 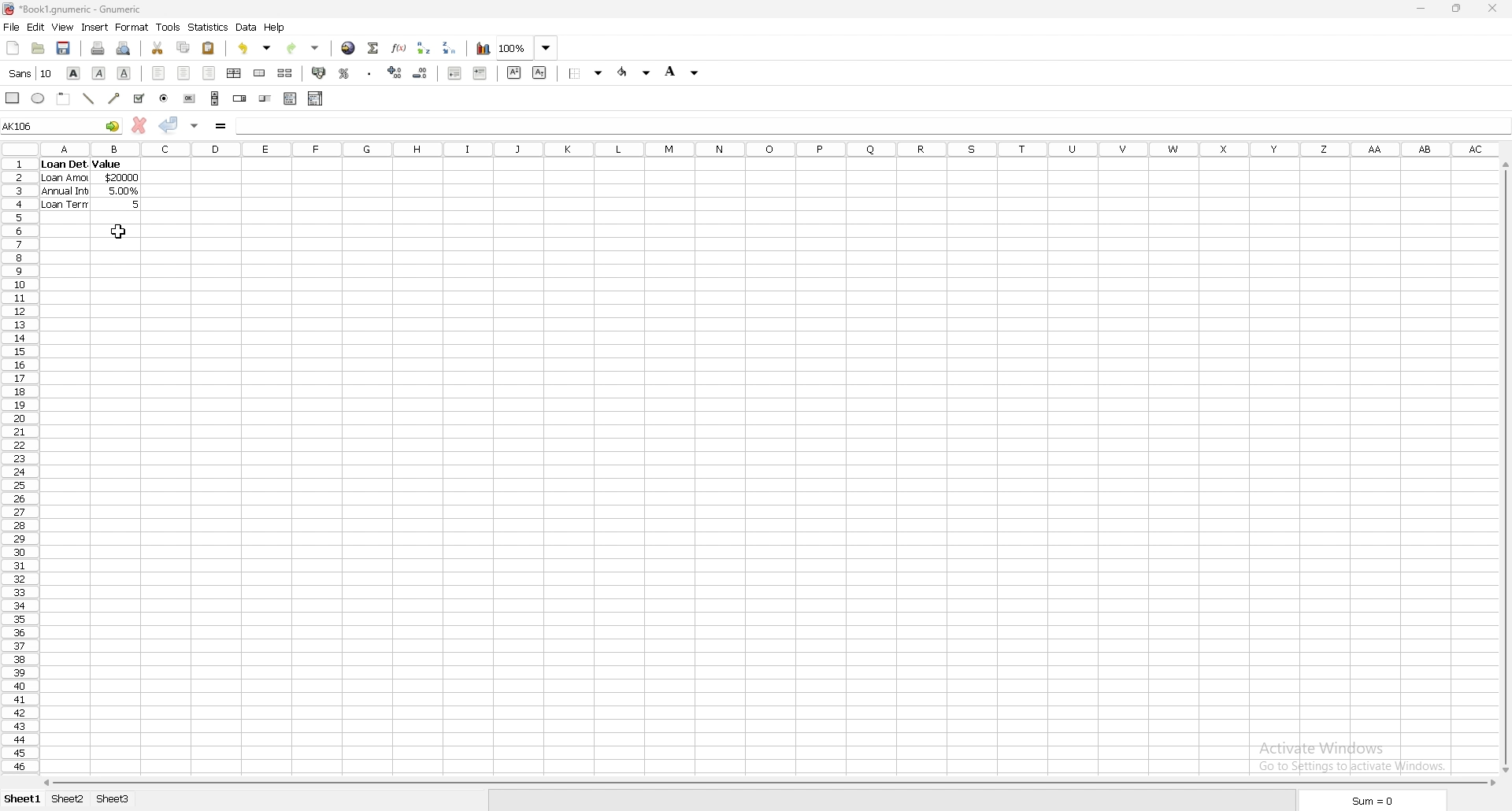 What do you see at coordinates (13, 47) in the screenshot?
I see `new` at bounding box center [13, 47].